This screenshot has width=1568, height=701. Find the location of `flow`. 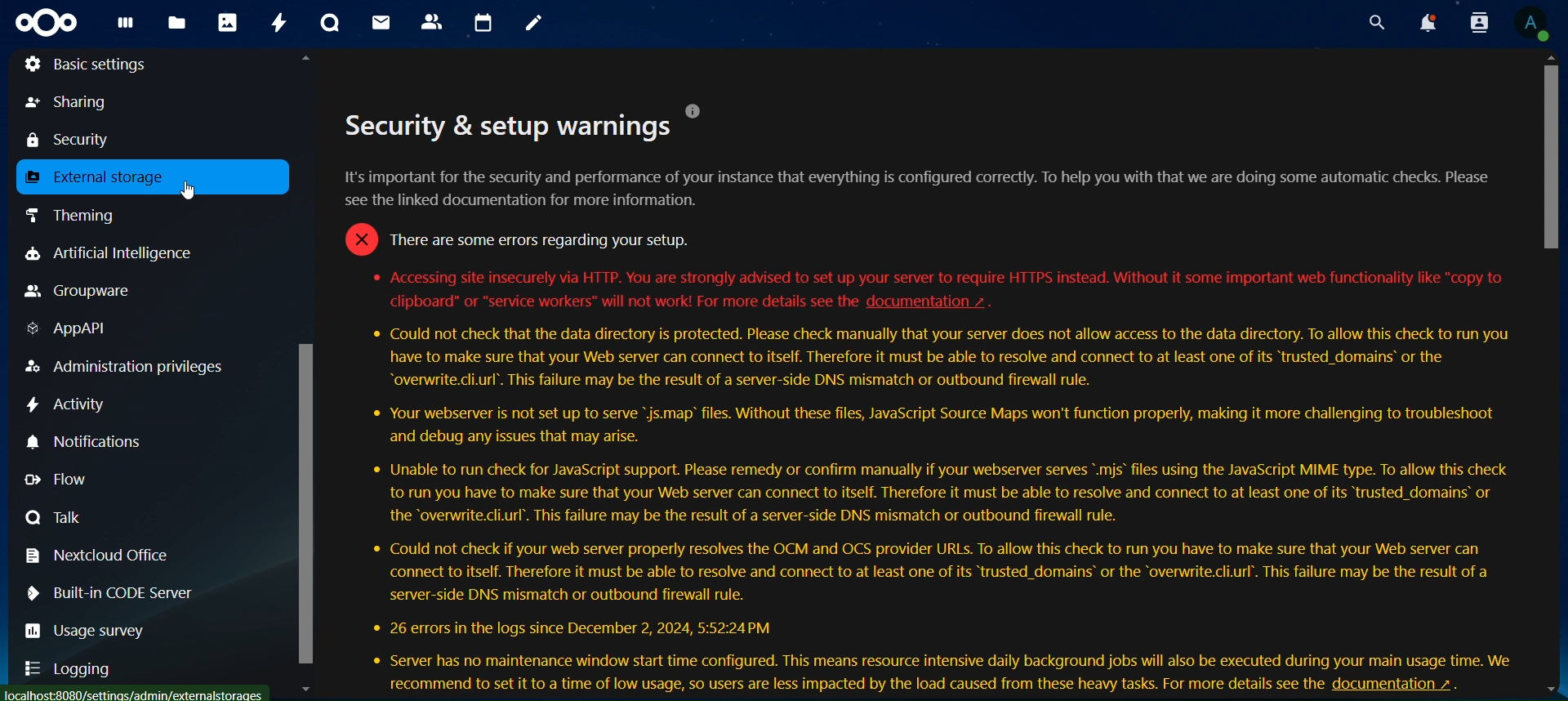

flow is located at coordinates (59, 479).